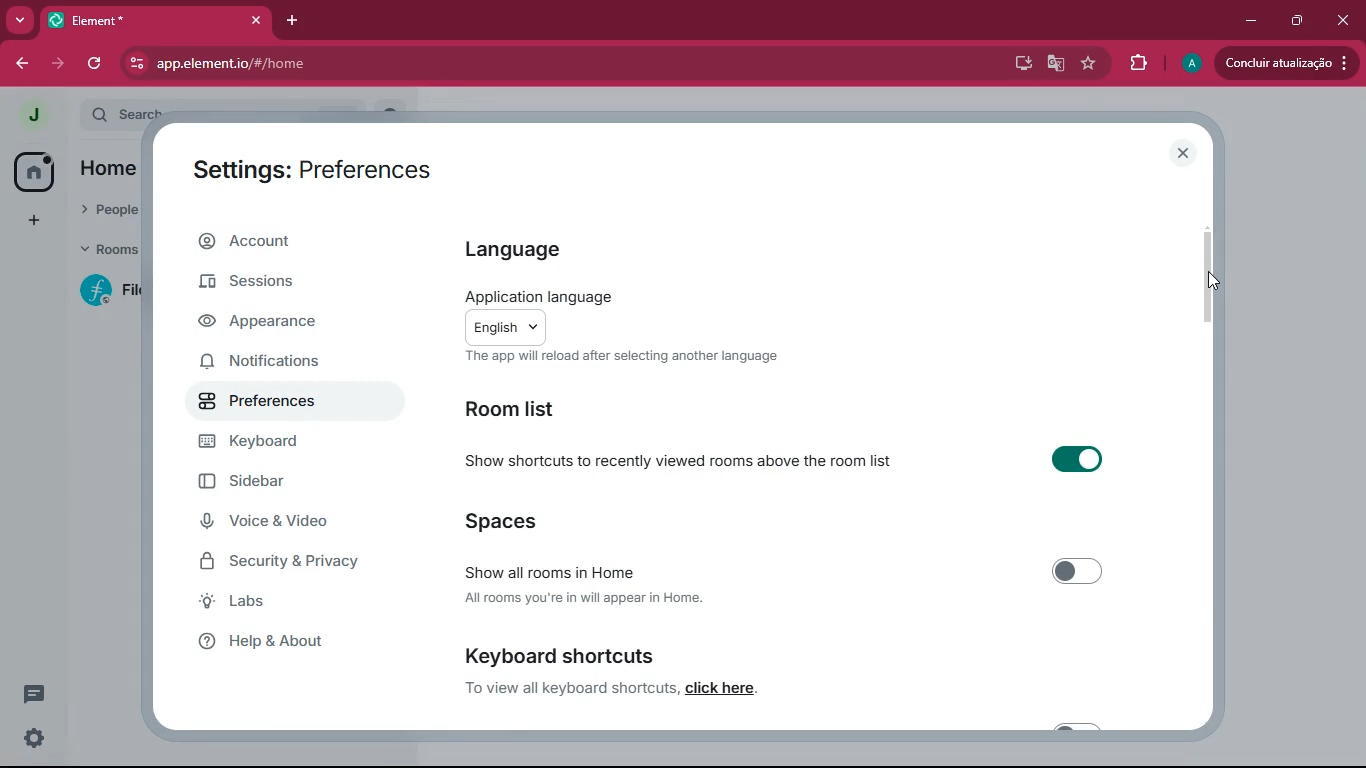 This screenshot has height=768, width=1366. What do you see at coordinates (727, 690) in the screenshot?
I see `click here` at bounding box center [727, 690].